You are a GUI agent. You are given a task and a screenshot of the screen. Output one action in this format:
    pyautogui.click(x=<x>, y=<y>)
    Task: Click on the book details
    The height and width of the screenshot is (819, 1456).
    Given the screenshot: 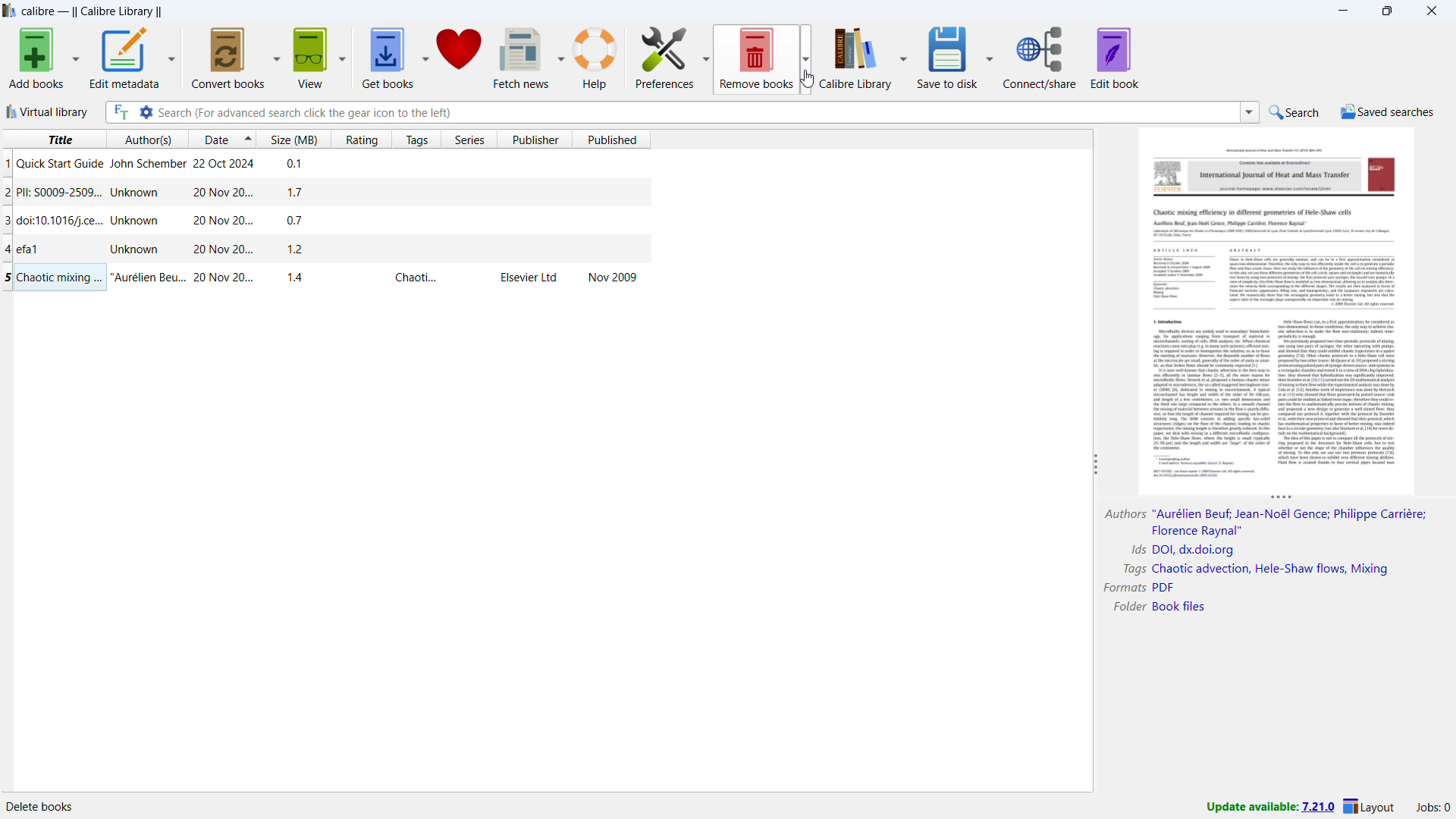 What is the action you would take?
    pyautogui.click(x=1263, y=562)
    